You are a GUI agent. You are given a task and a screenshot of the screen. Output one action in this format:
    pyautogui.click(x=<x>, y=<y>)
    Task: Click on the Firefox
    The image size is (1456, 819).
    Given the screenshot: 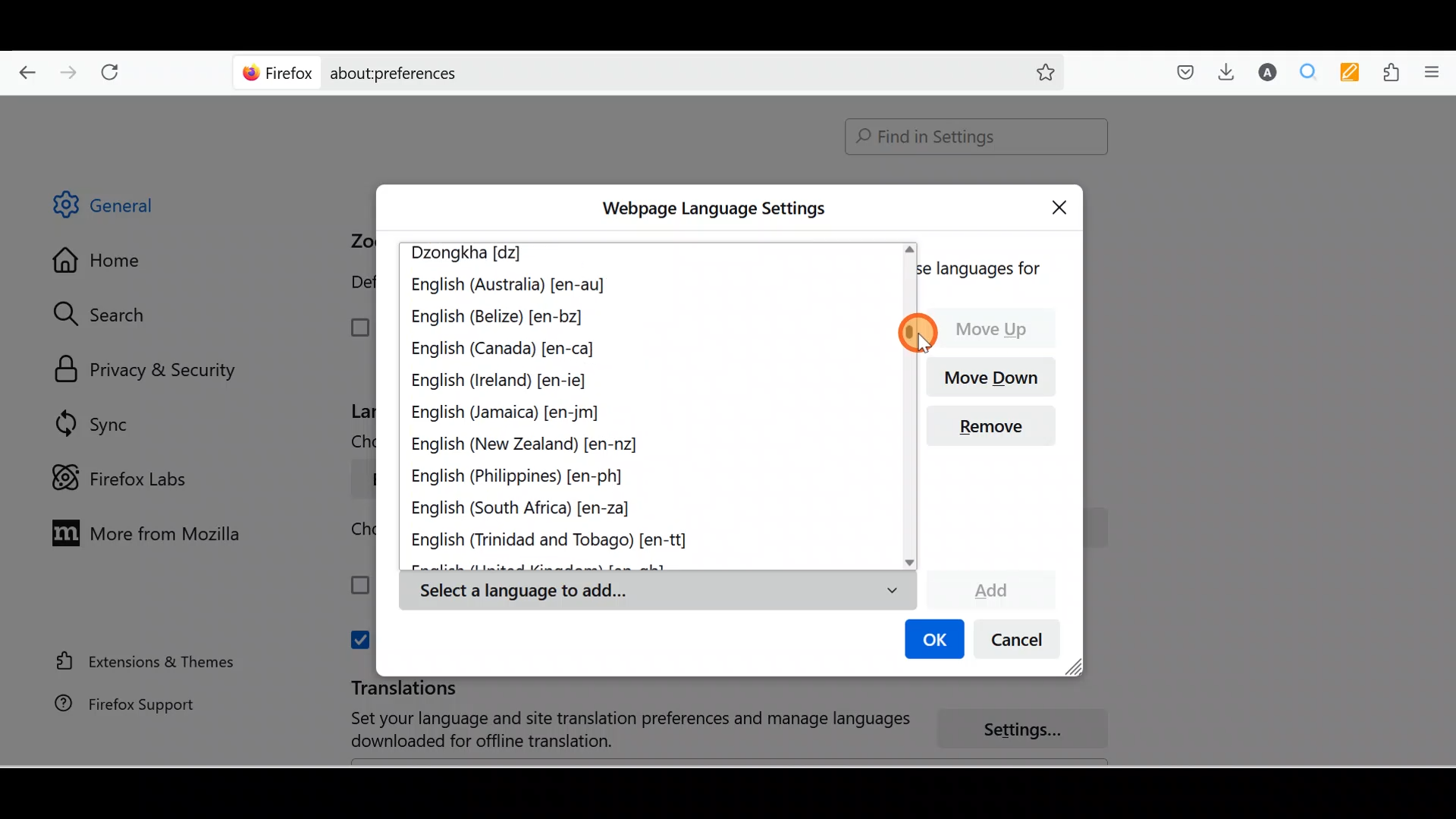 What is the action you would take?
    pyautogui.click(x=278, y=72)
    